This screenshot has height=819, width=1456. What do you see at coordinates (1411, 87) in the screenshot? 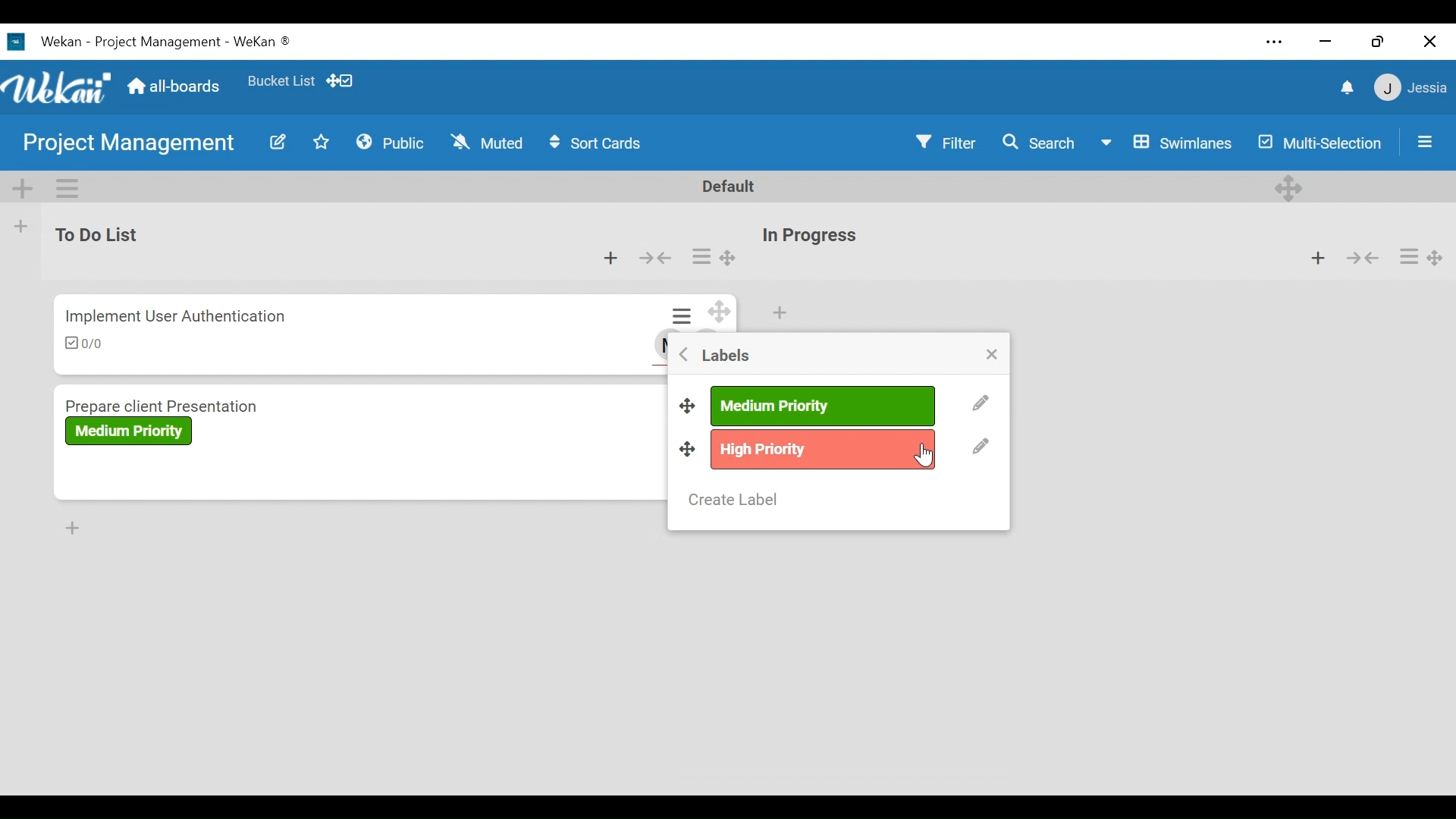
I see `Member Settings` at bounding box center [1411, 87].